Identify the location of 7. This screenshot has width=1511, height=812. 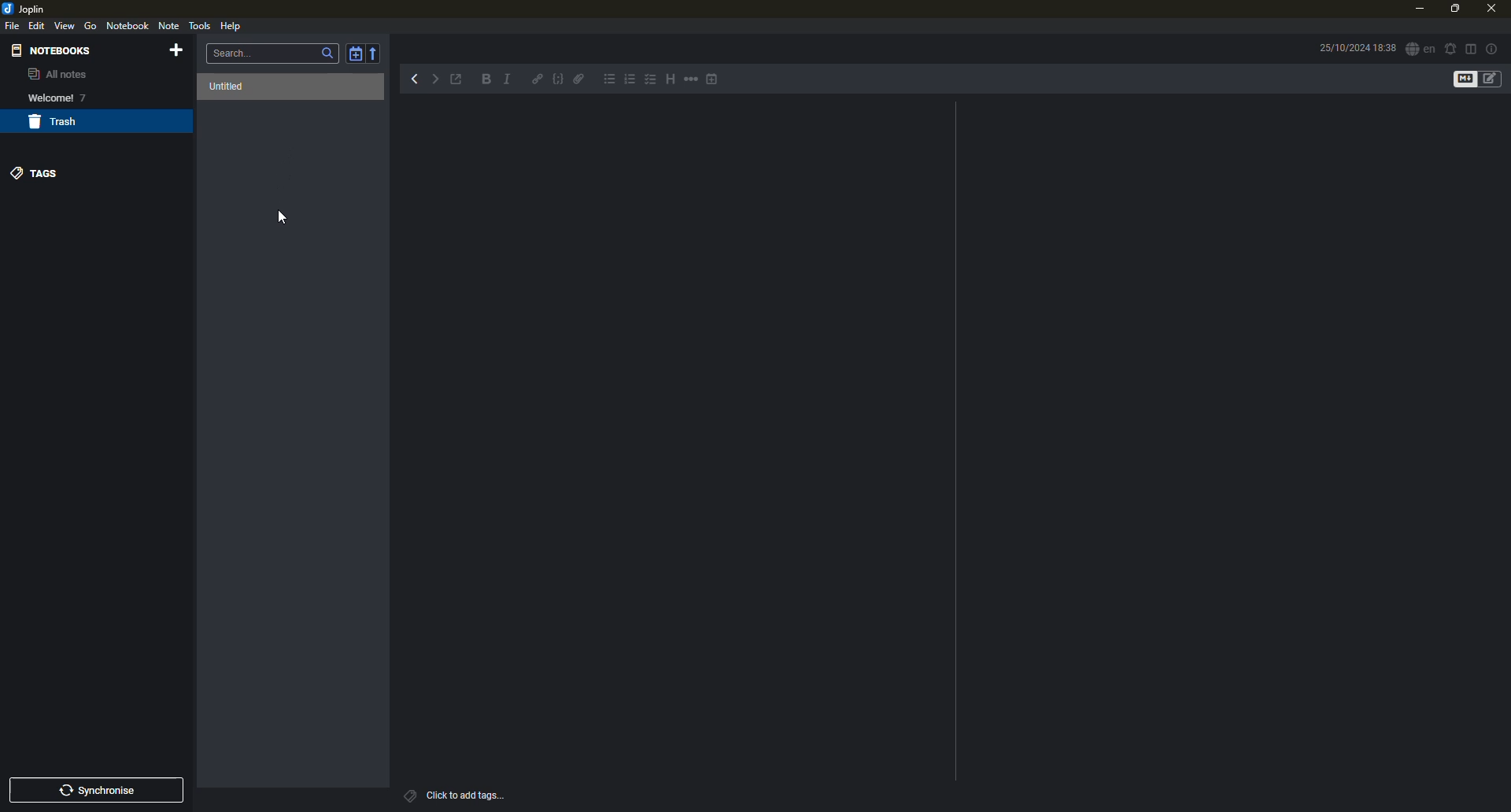
(86, 98).